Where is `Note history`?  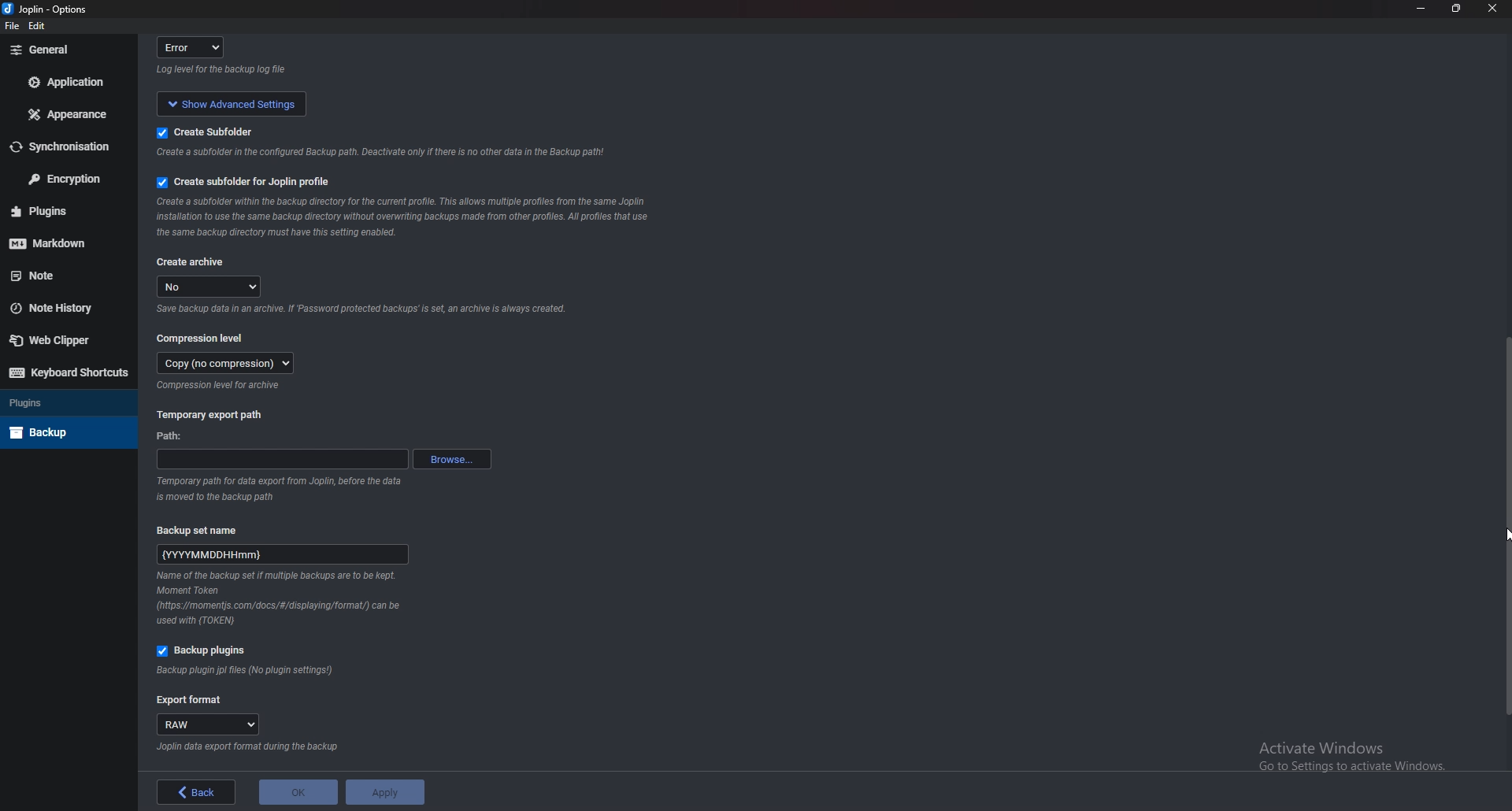
Note history is located at coordinates (61, 308).